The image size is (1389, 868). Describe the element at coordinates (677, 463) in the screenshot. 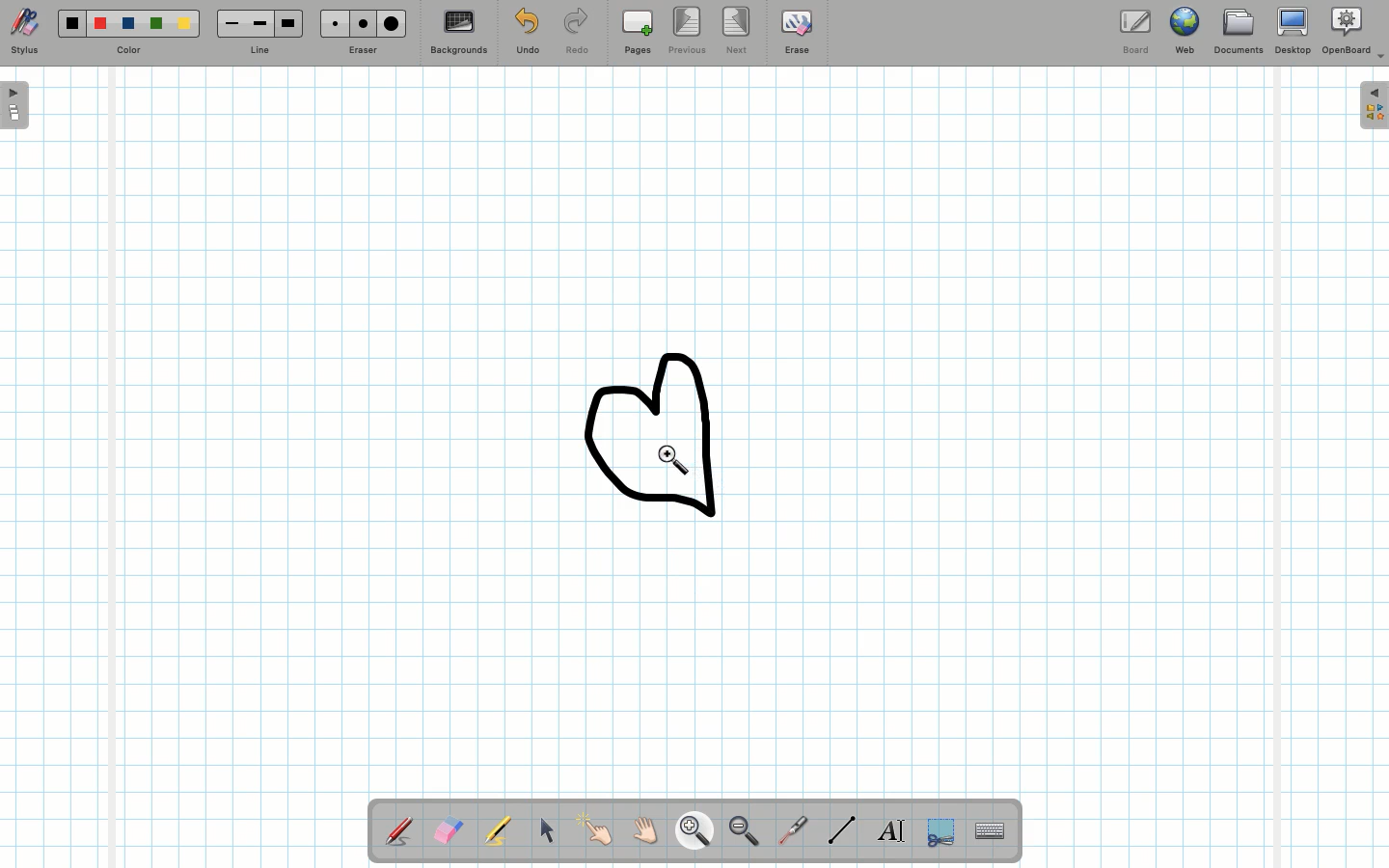

I see `Zoom in` at that location.